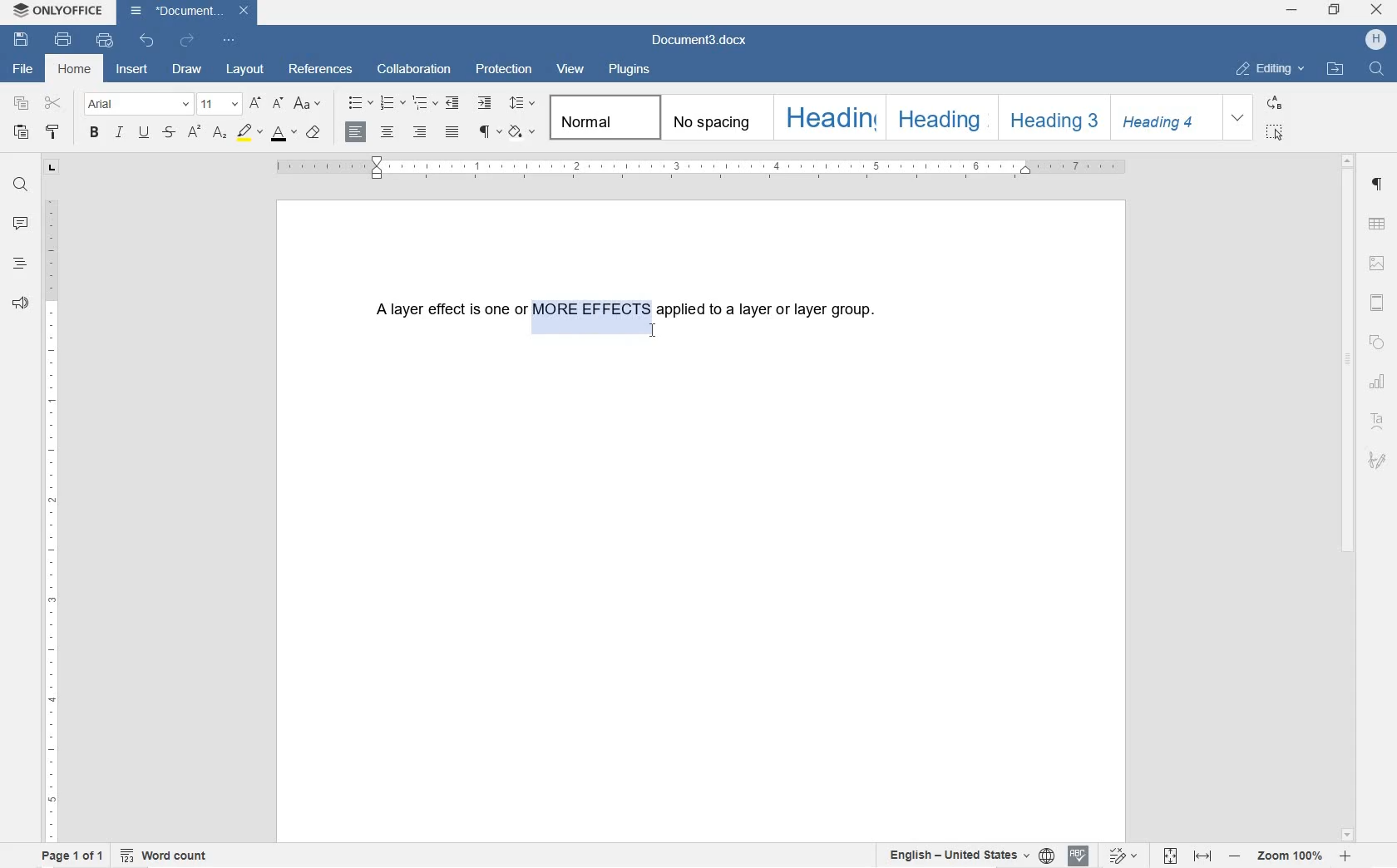 Image resolution: width=1397 pixels, height=868 pixels. What do you see at coordinates (249, 132) in the screenshot?
I see `HIGHLIGHT COLOR` at bounding box center [249, 132].